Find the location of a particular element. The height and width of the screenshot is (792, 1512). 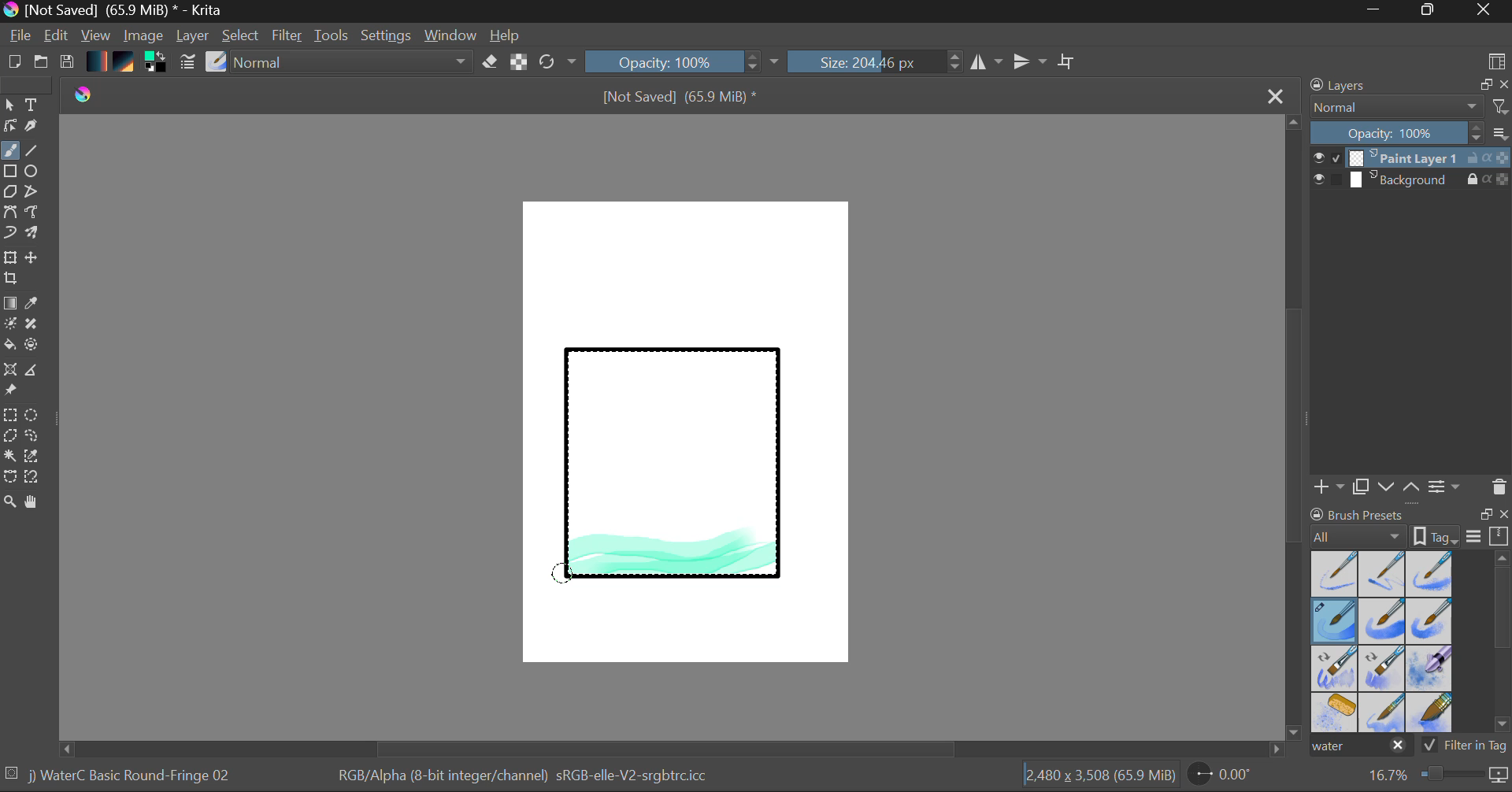

Add Layer is located at coordinates (1329, 487).